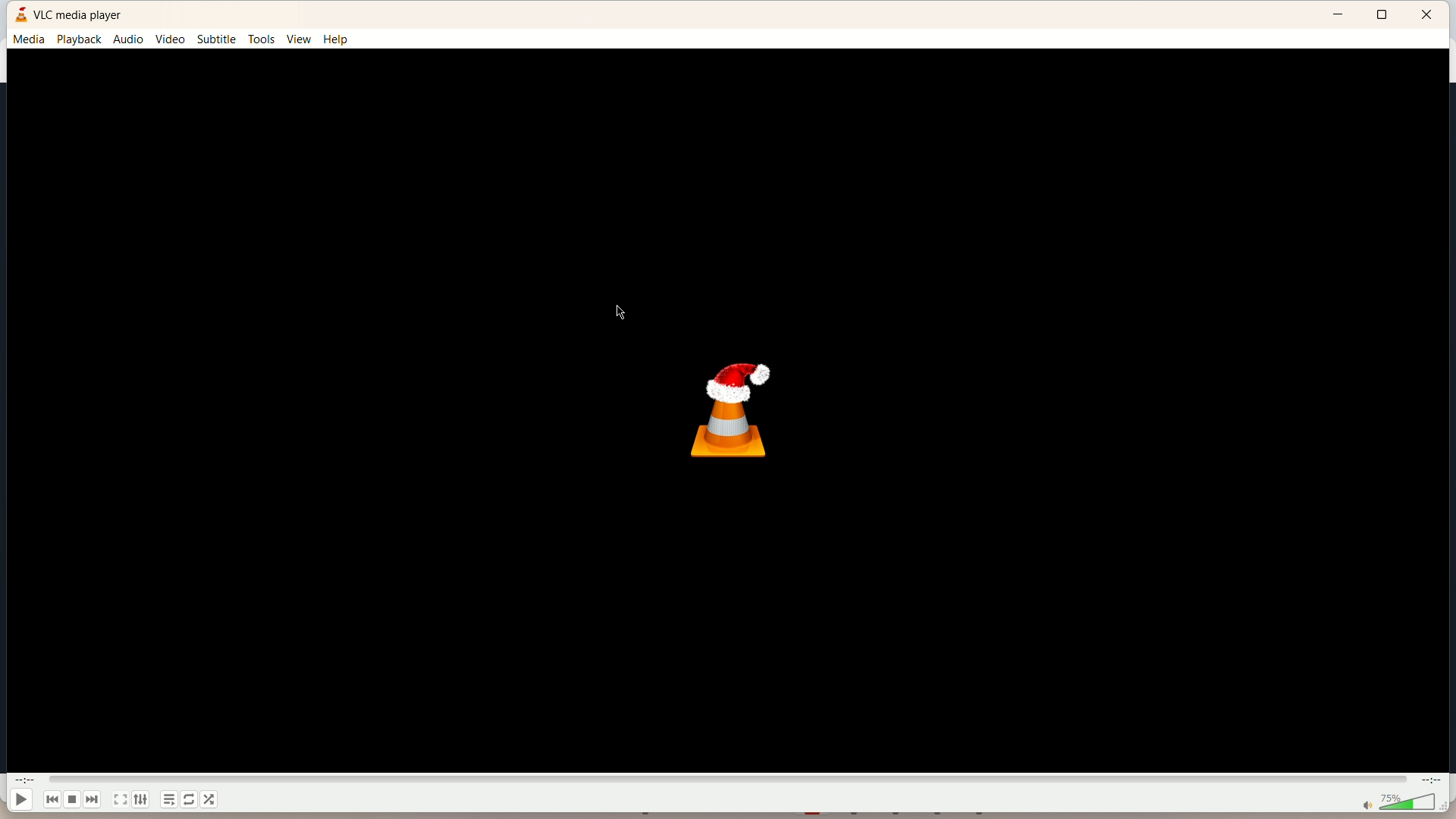  I want to click on total time, so click(1439, 780).